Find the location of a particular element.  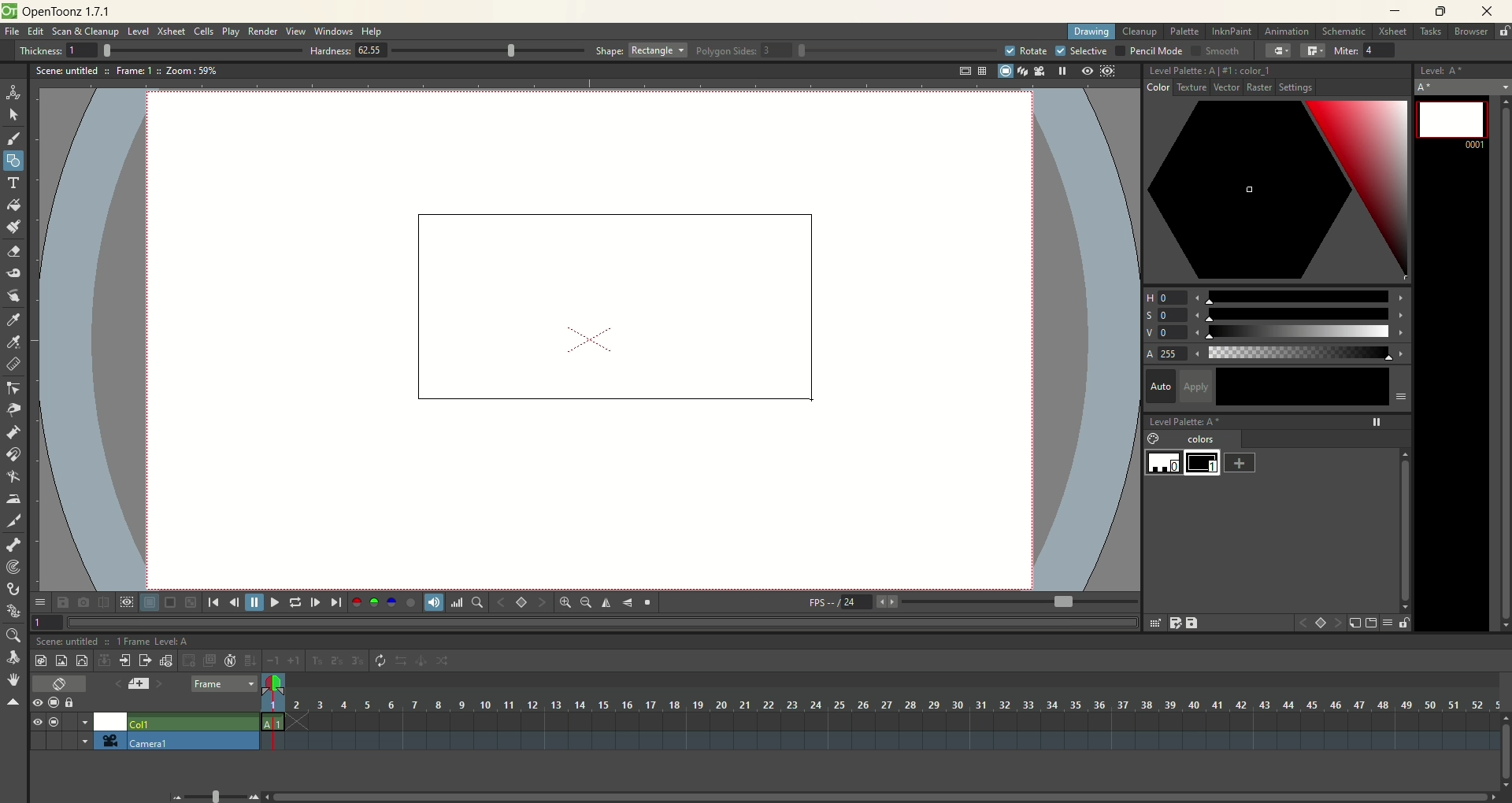

next memo is located at coordinates (160, 686).